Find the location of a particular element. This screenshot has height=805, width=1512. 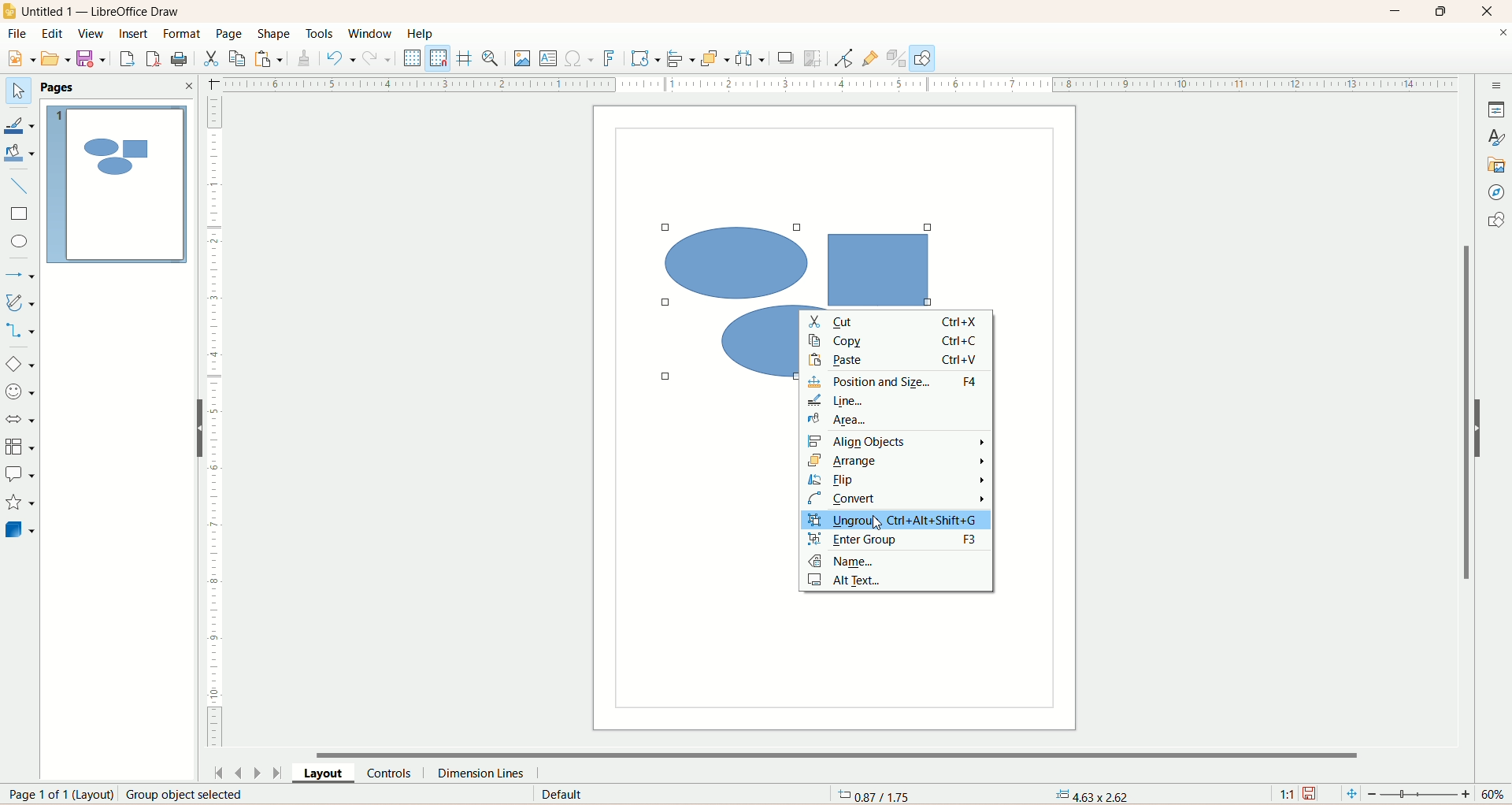

export is located at coordinates (125, 59).